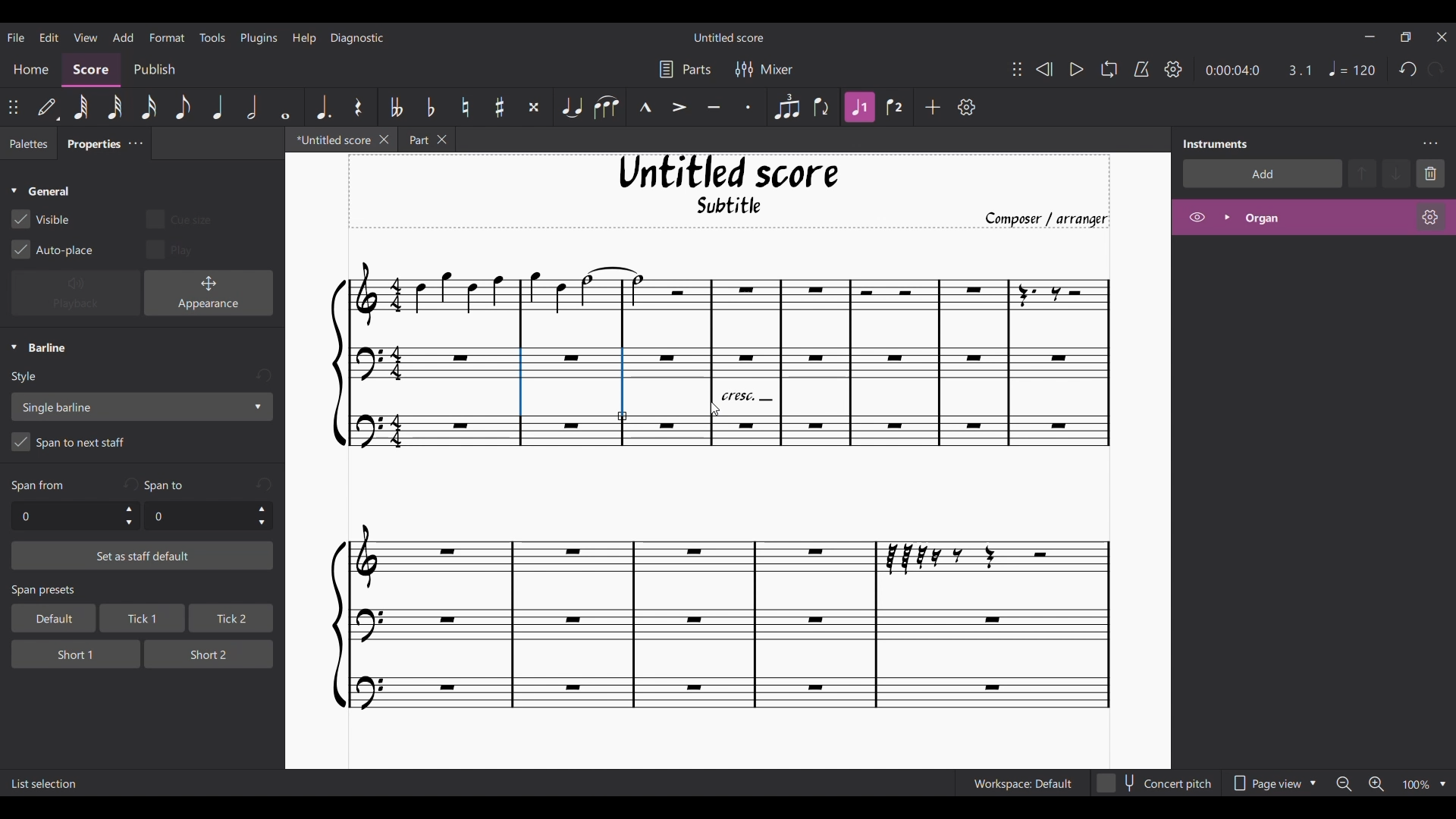 This screenshot has width=1456, height=819. Describe the element at coordinates (1408, 70) in the screenshot. I see `Undo` at that location.